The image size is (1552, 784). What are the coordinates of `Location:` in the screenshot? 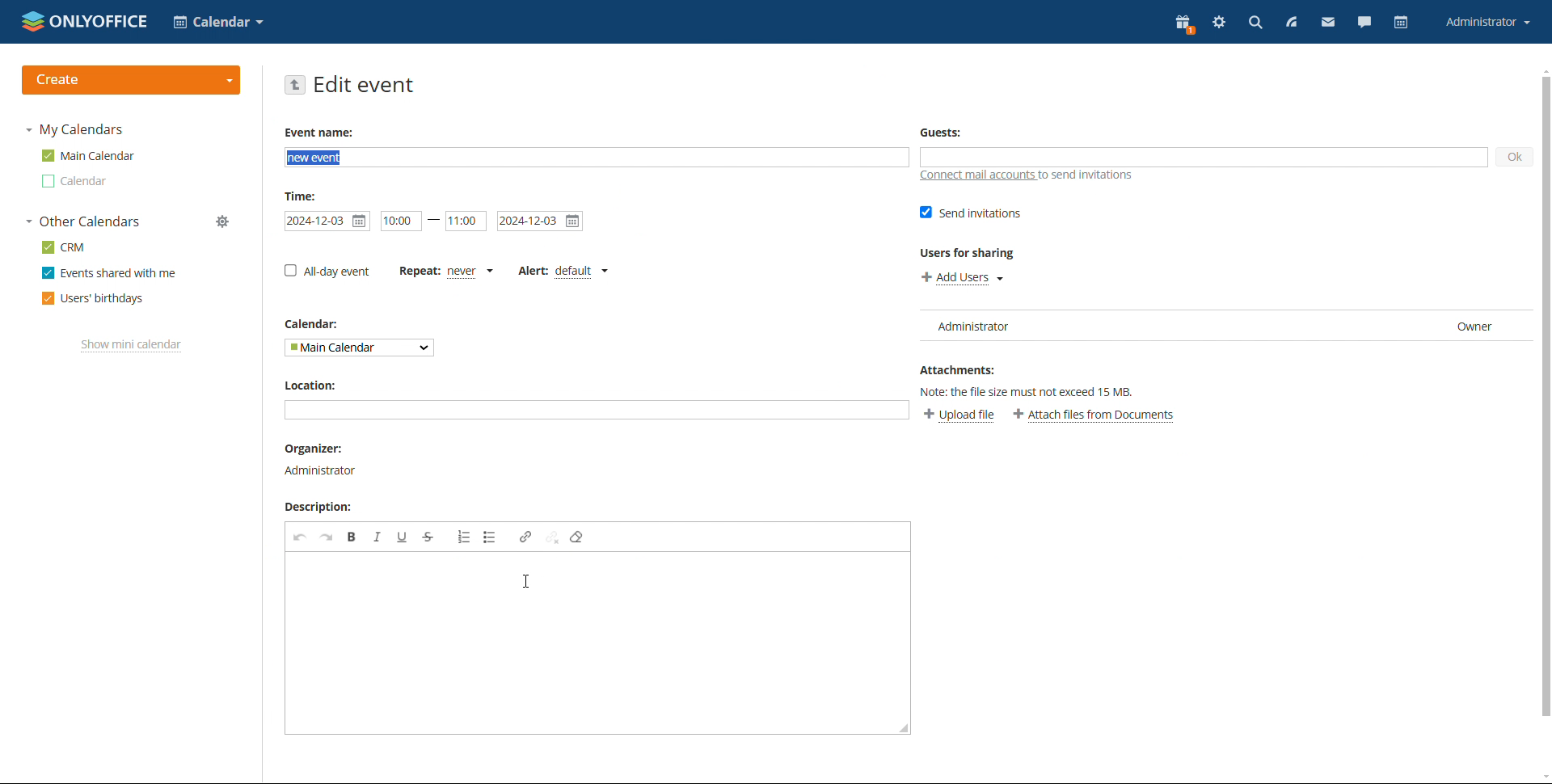 It's located at (315, 386).